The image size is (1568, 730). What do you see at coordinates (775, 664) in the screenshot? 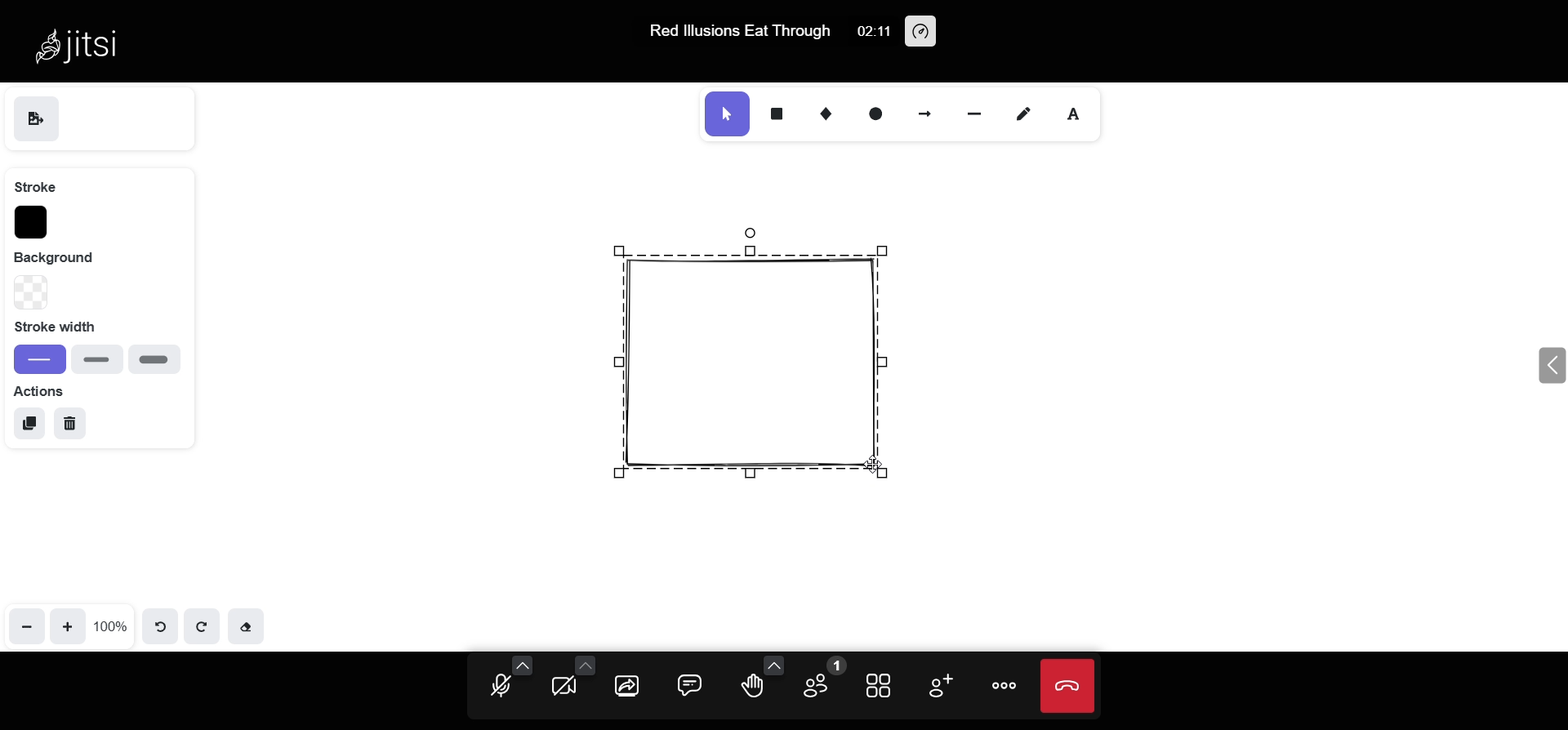
I see `more emoji` at bounding box center [775, 664].